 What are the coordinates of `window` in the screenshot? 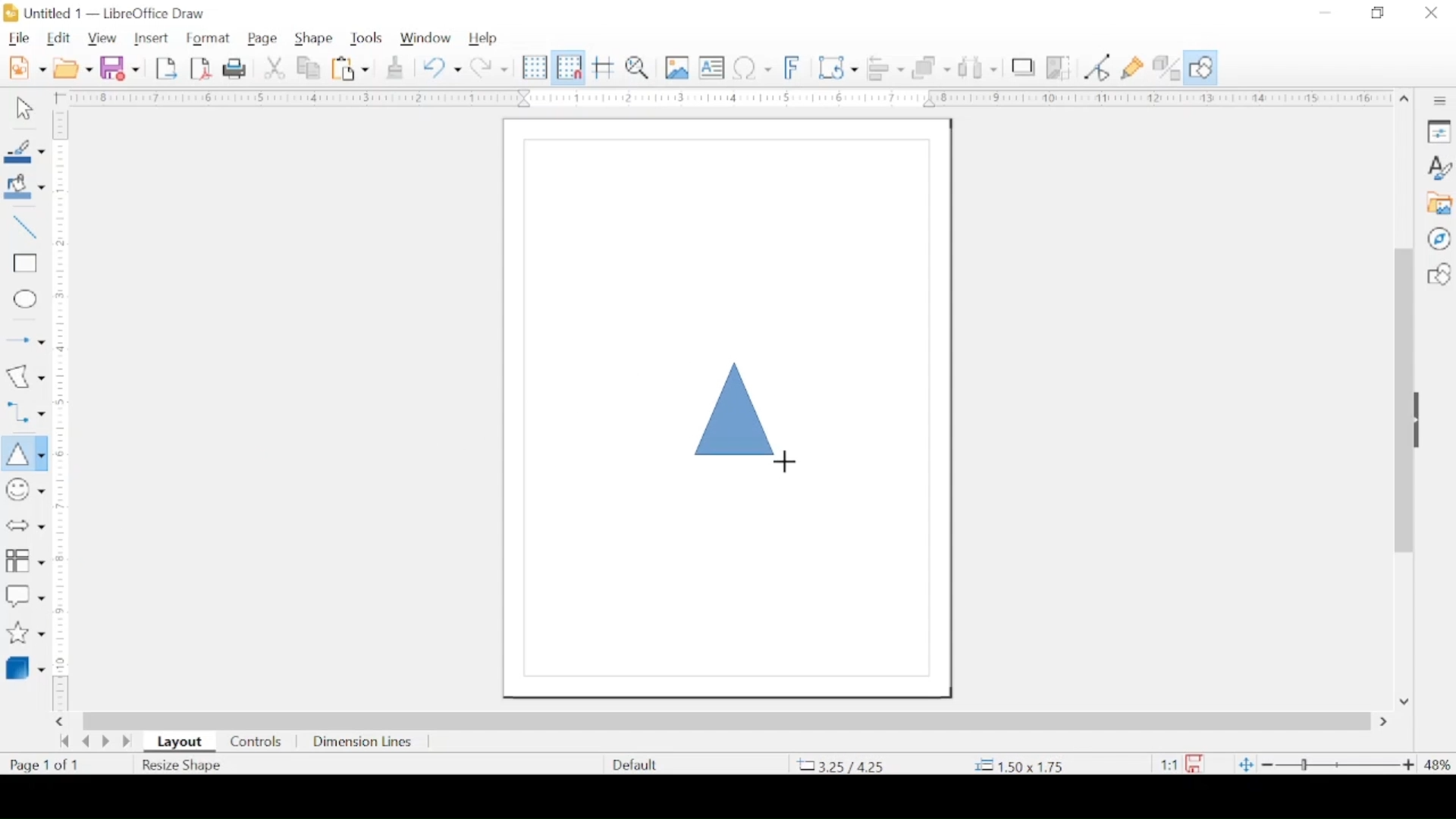 It's located at (425, 36).